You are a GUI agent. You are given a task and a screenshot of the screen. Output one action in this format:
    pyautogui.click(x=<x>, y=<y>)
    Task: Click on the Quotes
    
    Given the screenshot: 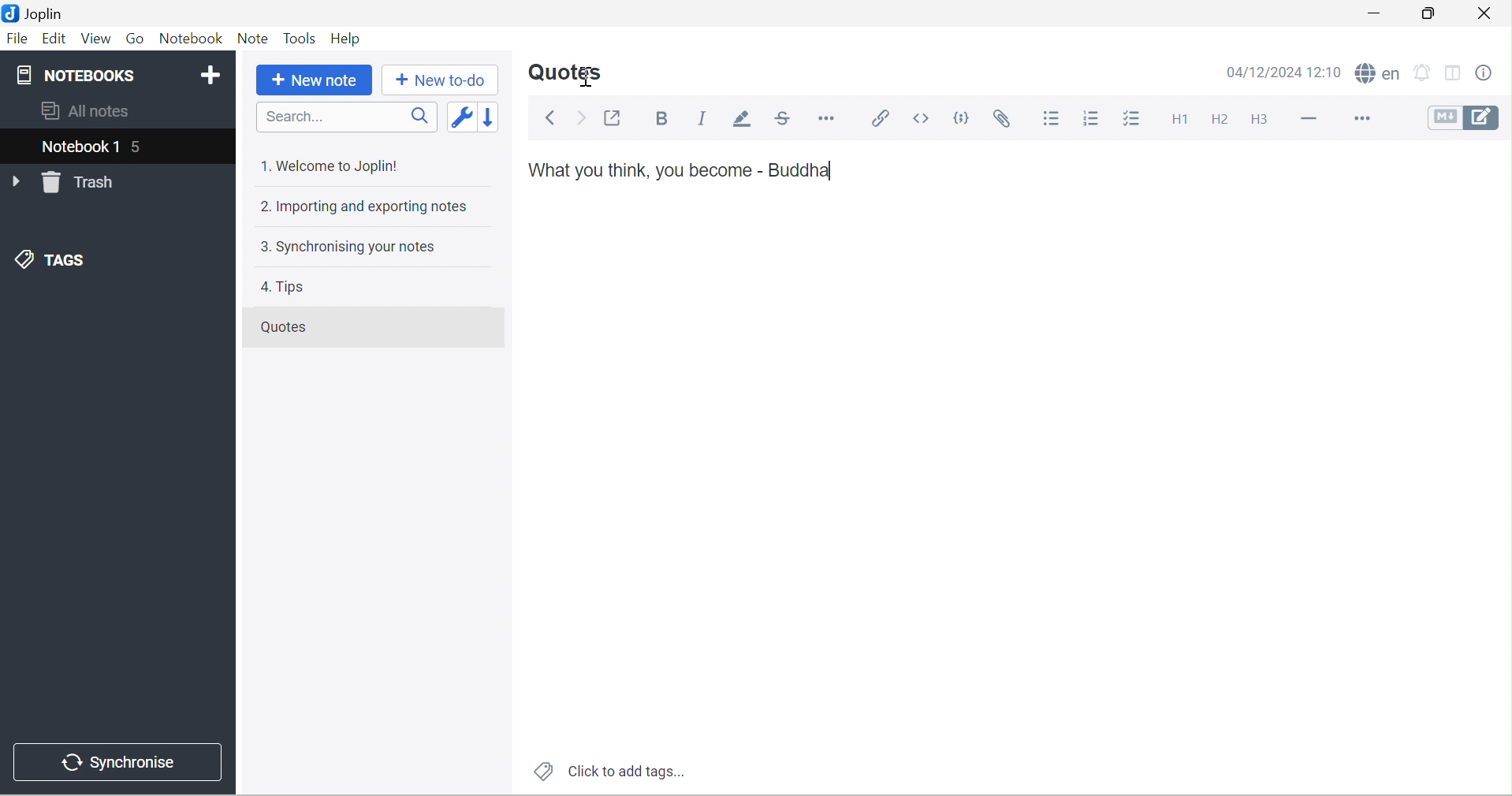 What is the action you would take?
    pyautogui.click(x=283, y=326)
    